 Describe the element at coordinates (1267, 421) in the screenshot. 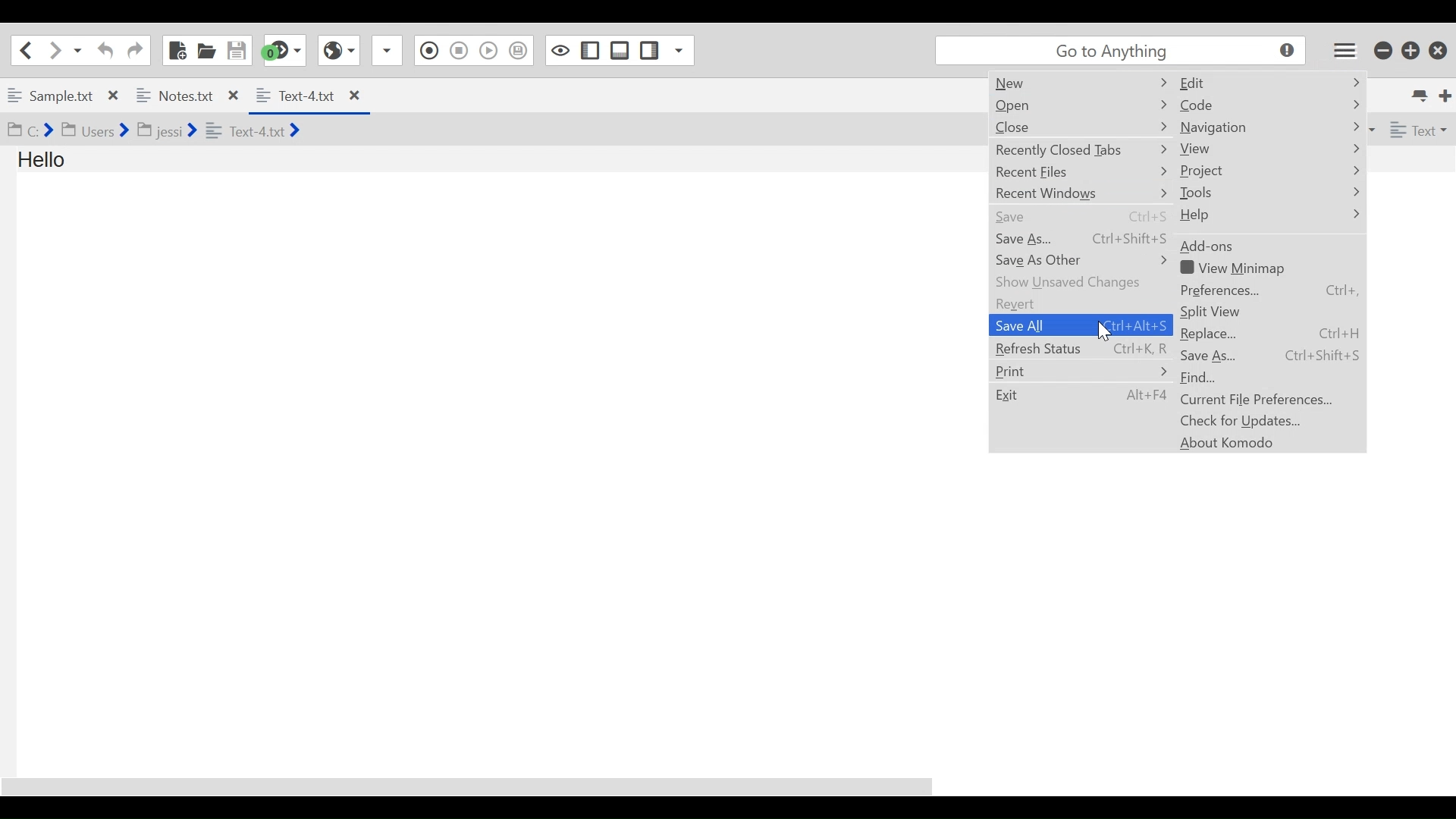

I see `Chack for Updates` at that location.